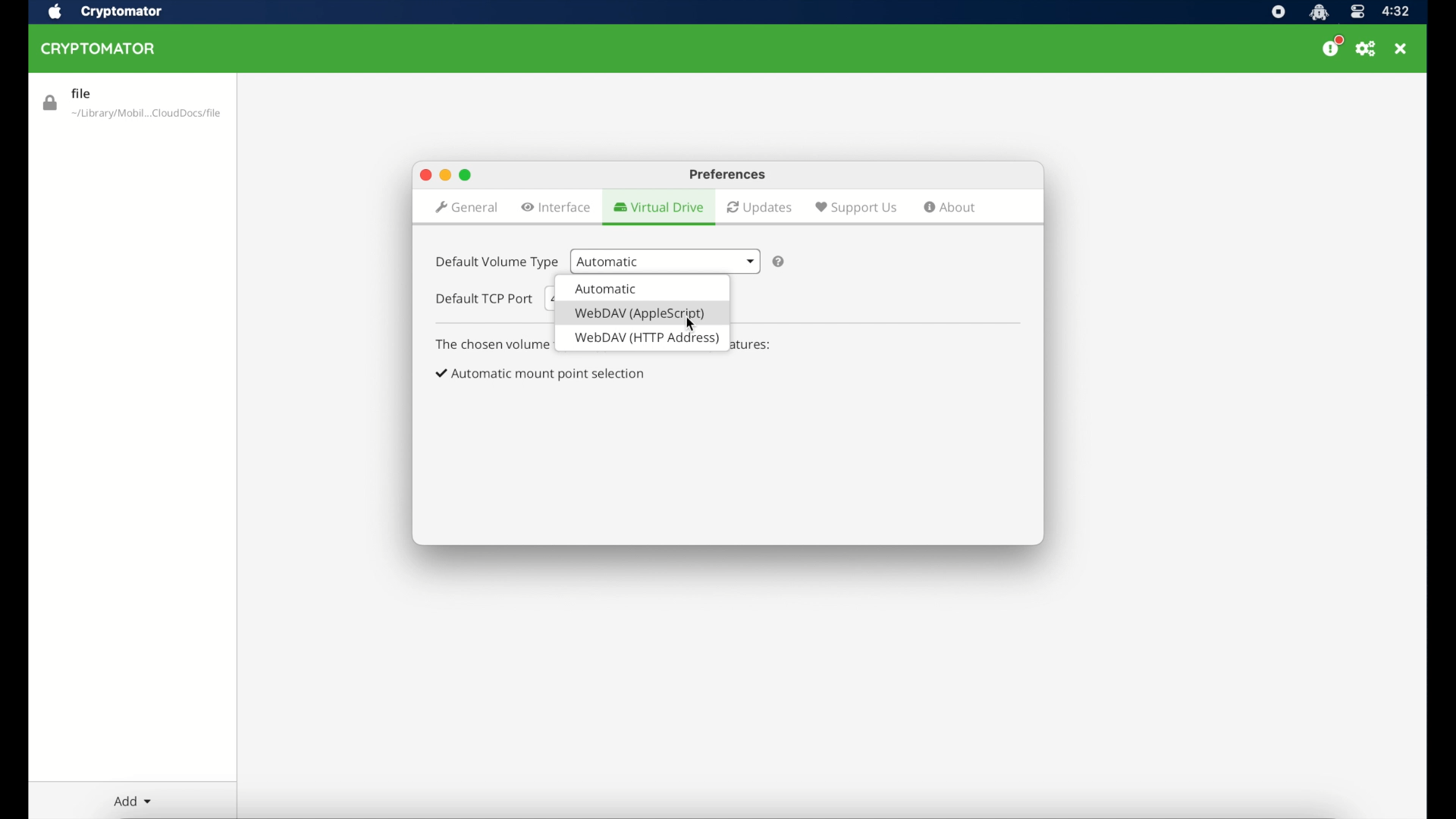 The height and width of the screenshot is (819, 1456). I want to click on interface, so click(557, 207).